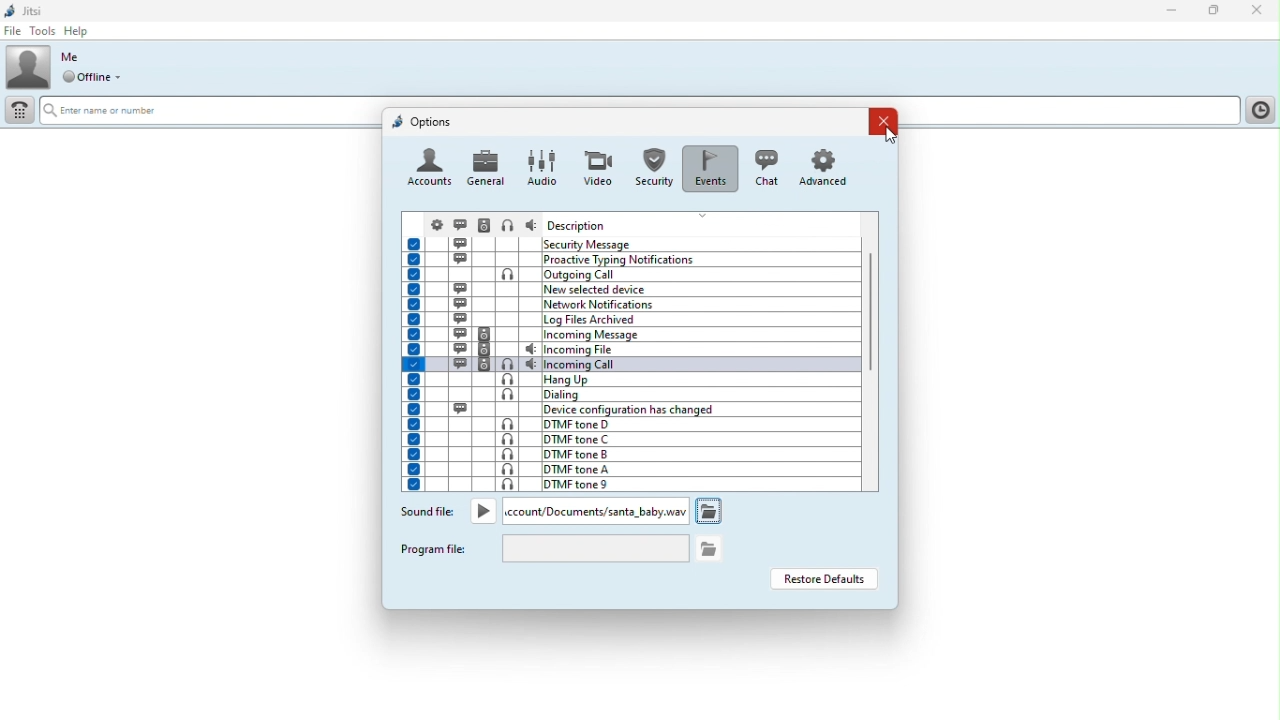  I want to click on dialing , so click(628, 396).